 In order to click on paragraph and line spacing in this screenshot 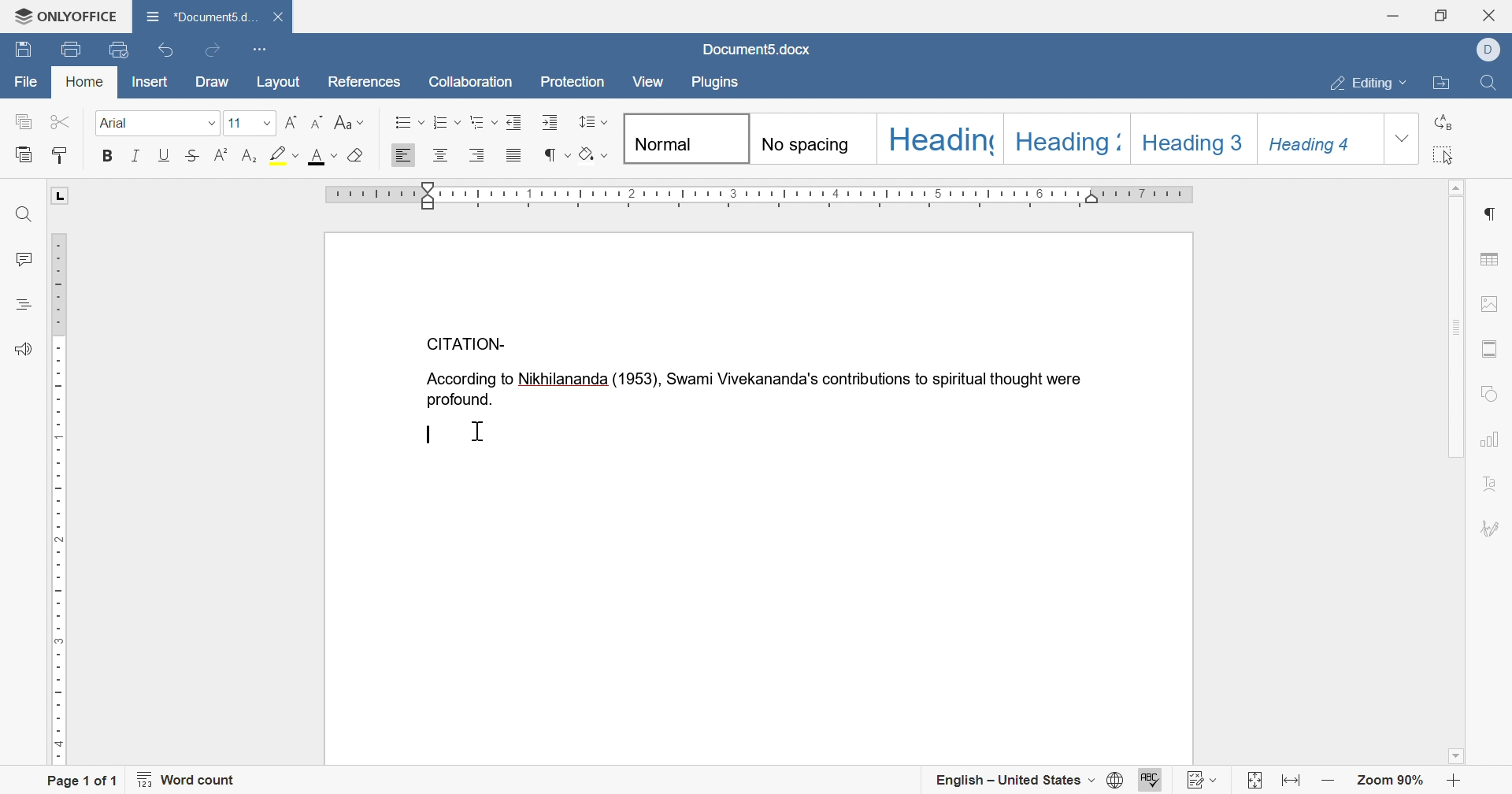, I will do `click(593, 121)`.